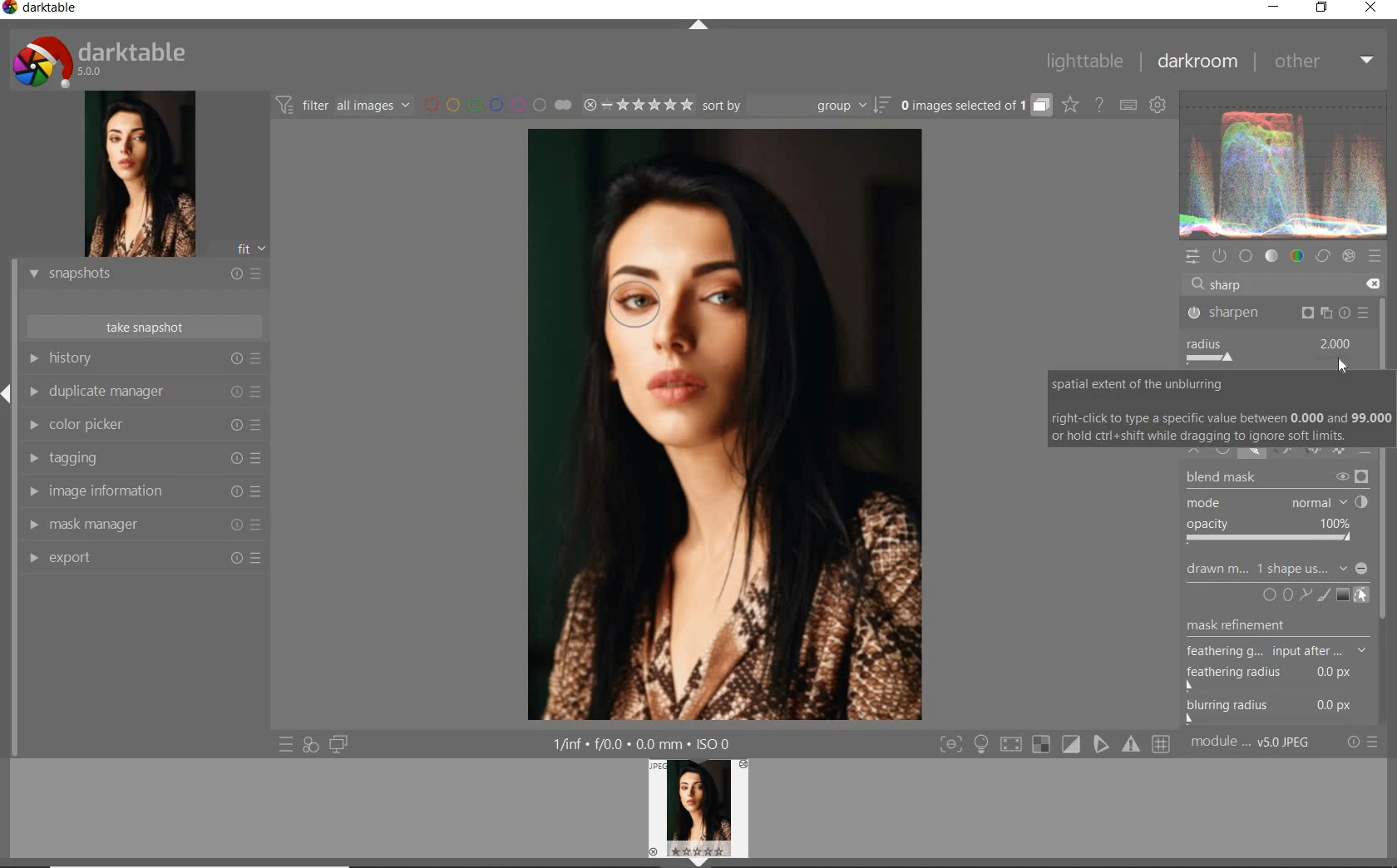 The width and height of the screenshot is (1397, 868). I want to click on blurring radius, so click(1271, 711).